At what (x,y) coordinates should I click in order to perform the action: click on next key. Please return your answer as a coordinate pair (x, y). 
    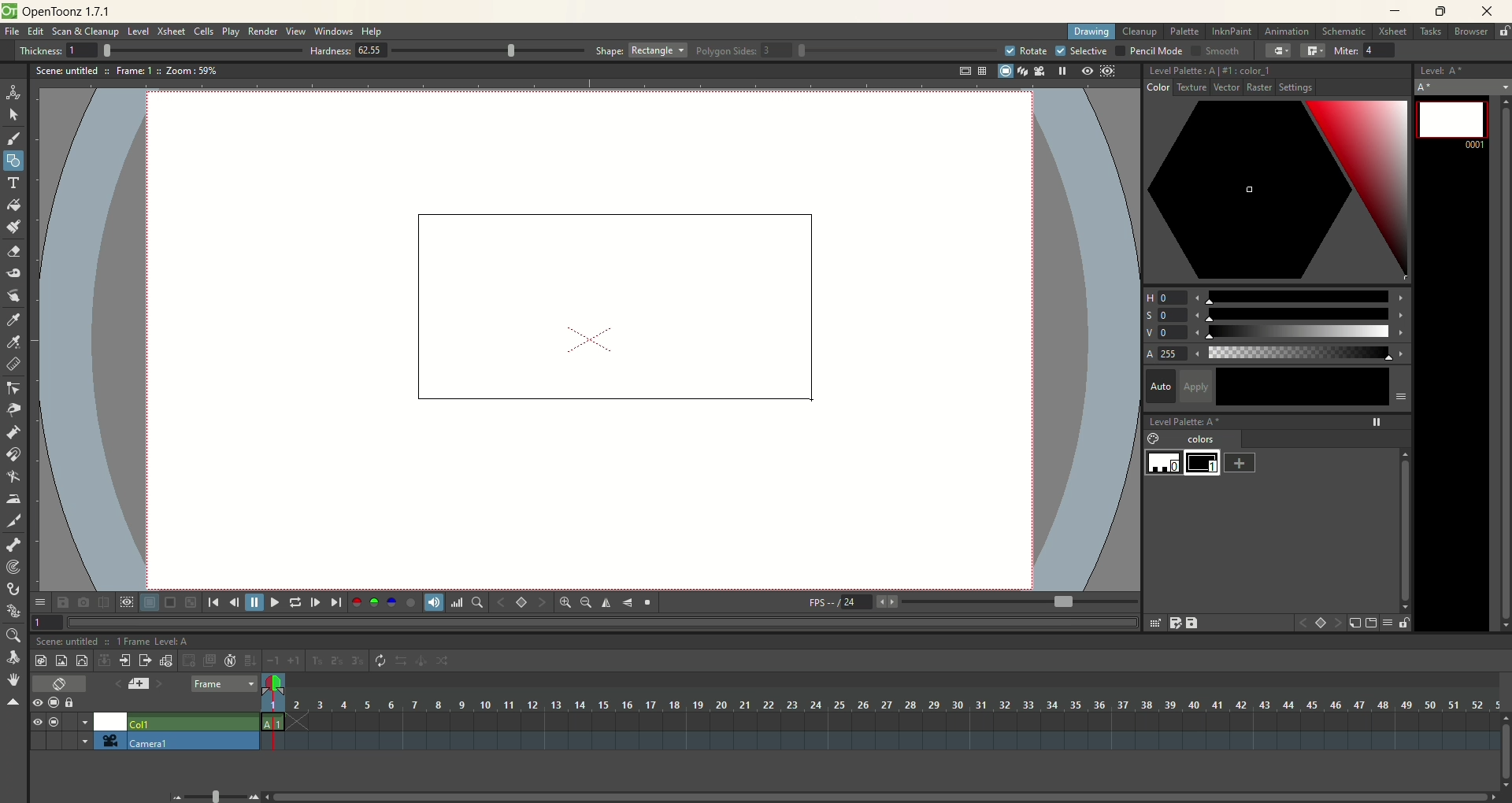
    Looking at the image, I should click on (542, 603).